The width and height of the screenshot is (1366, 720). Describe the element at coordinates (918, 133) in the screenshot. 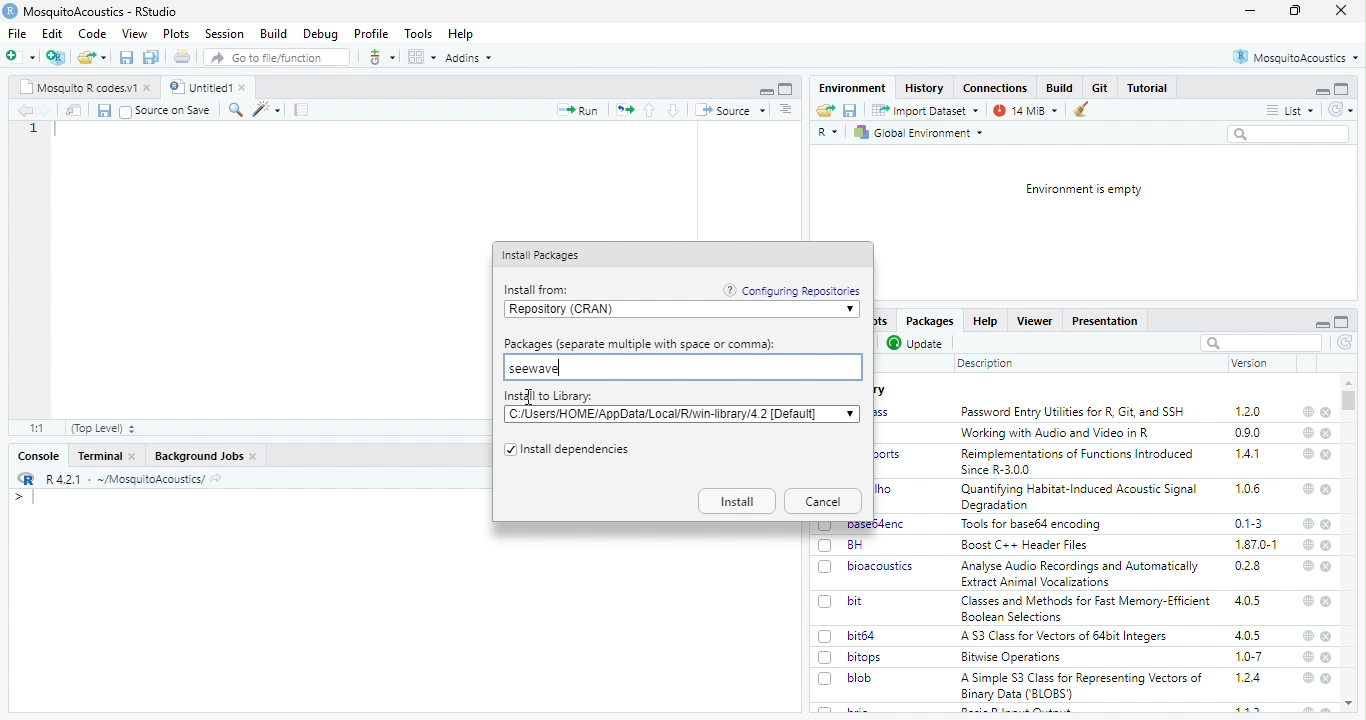

I see `Global Environment` at that location.